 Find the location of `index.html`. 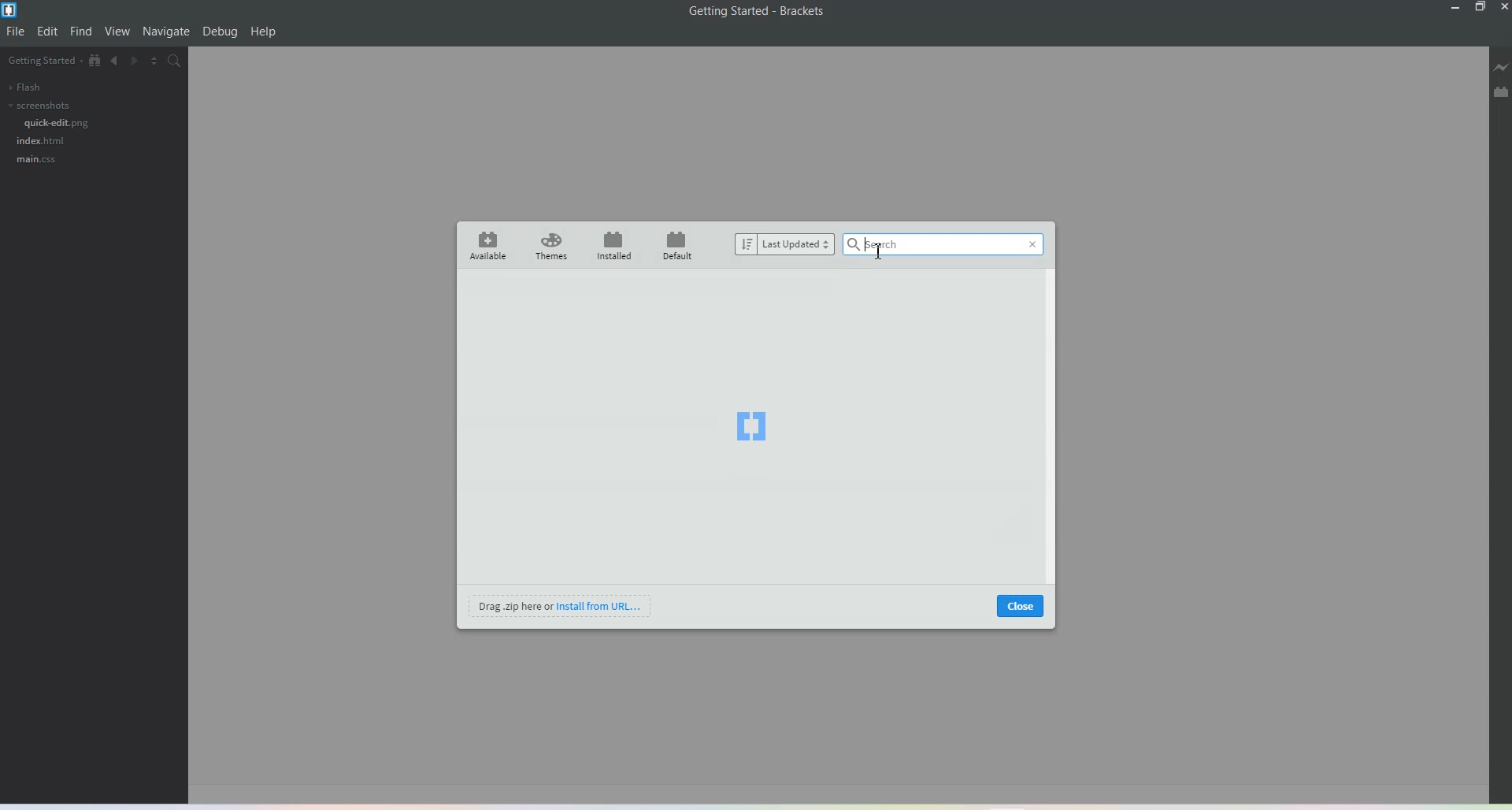

index.html is located at coordinates (42, 140).